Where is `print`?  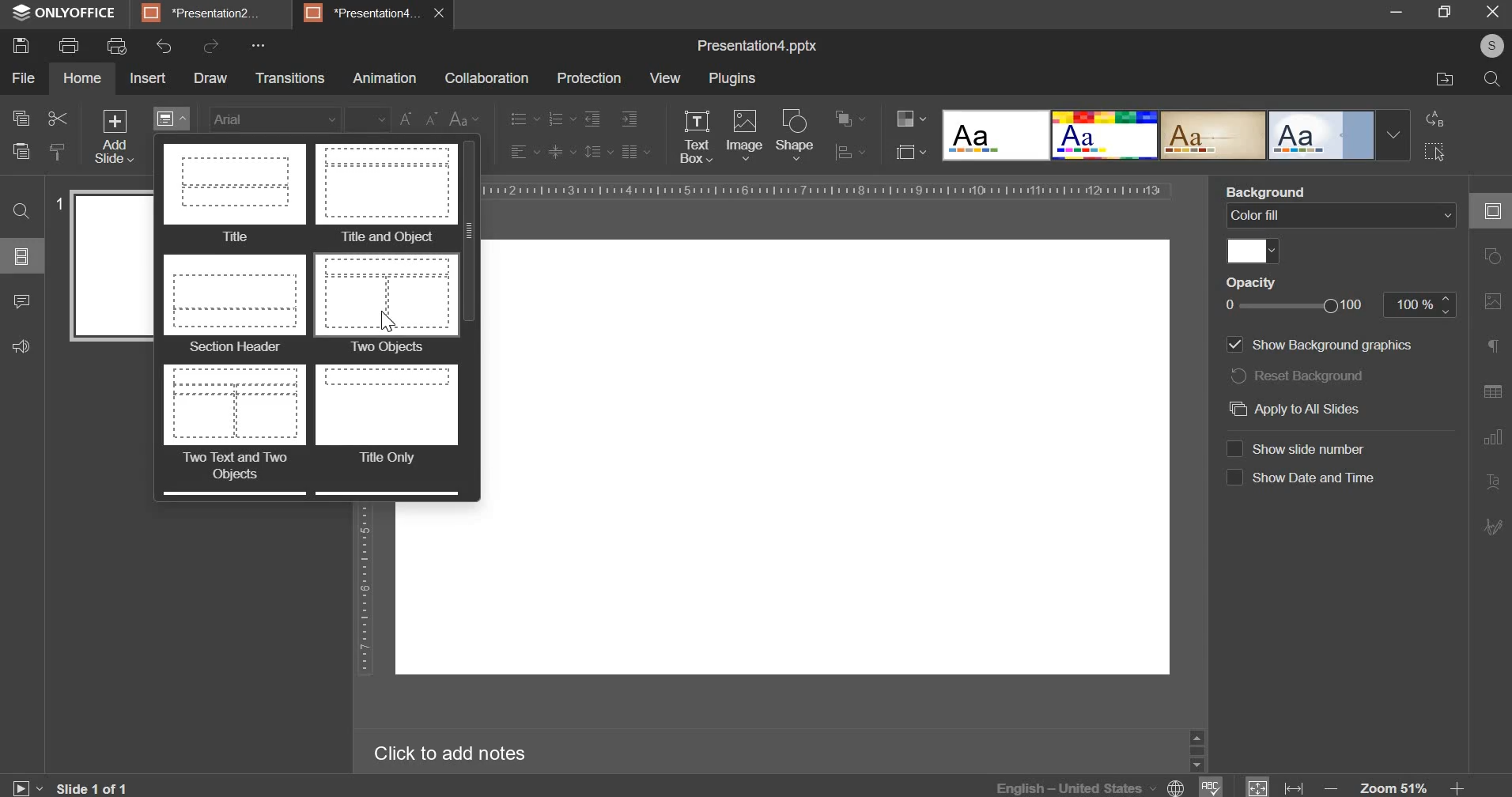 print is located at coordinates (67, 46).